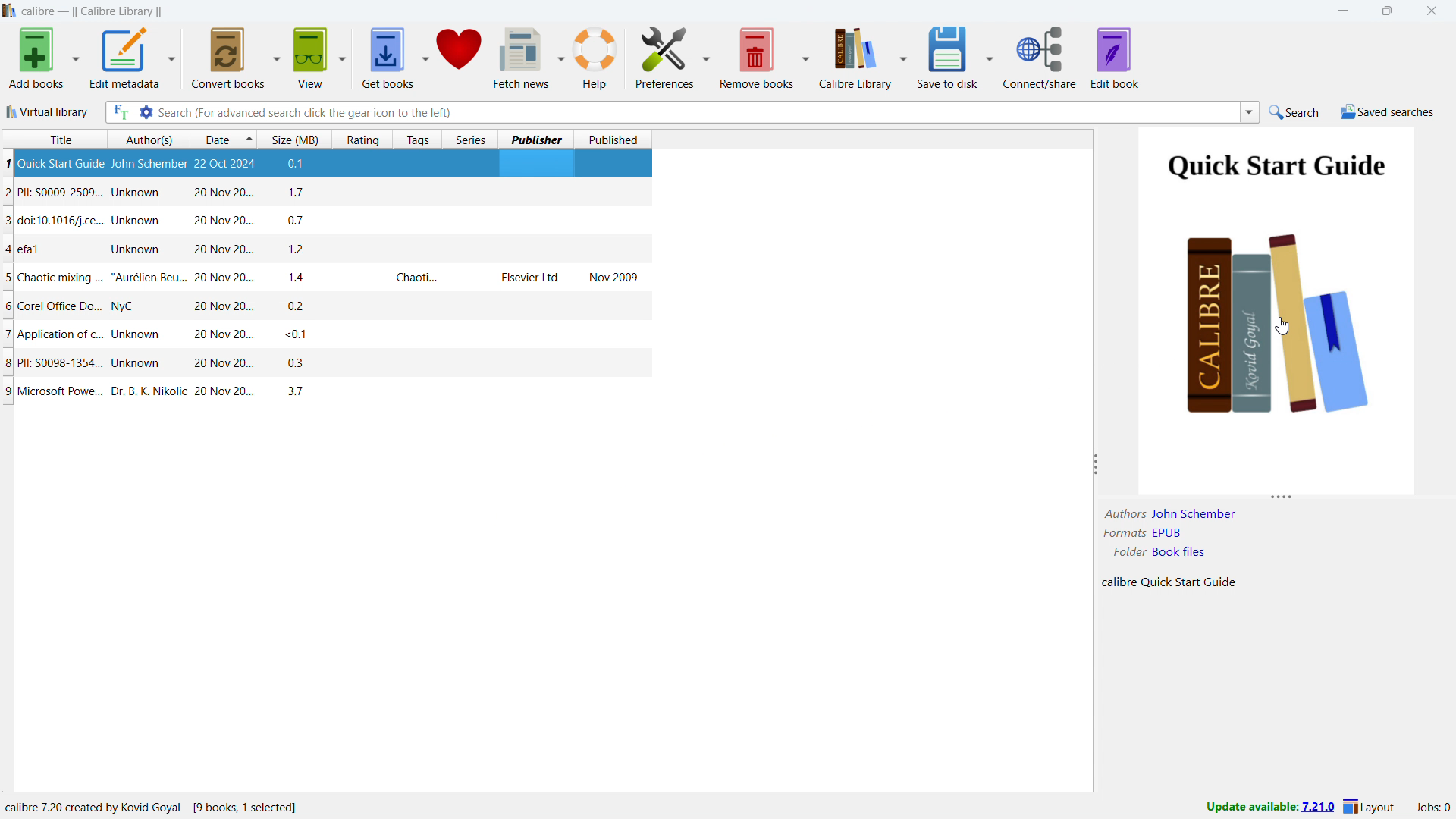 The image size is (1456, 819). I want to click on save to disk options, so click(990, 56).